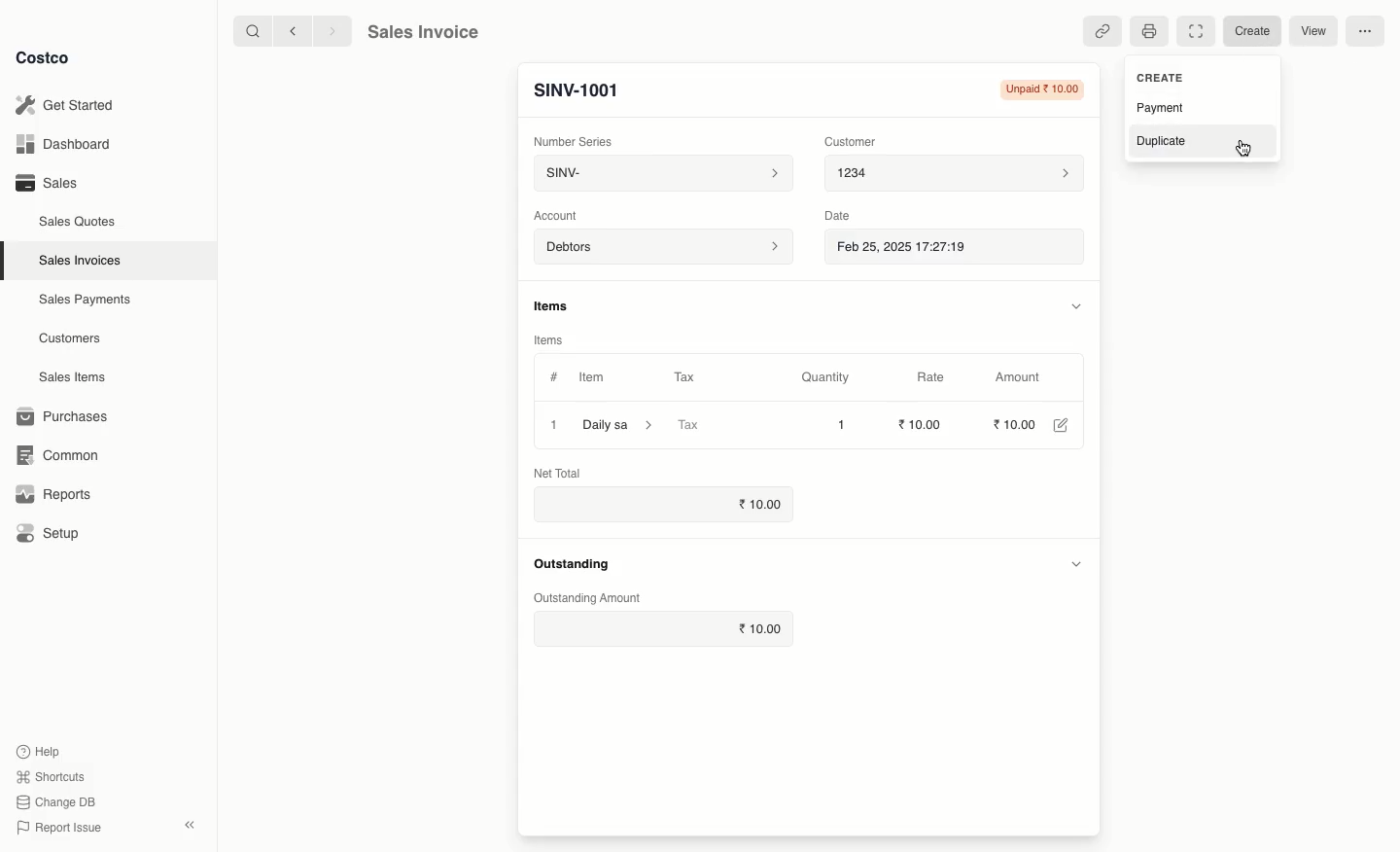  I want to click on Sales Invoice, so click(427, 32).